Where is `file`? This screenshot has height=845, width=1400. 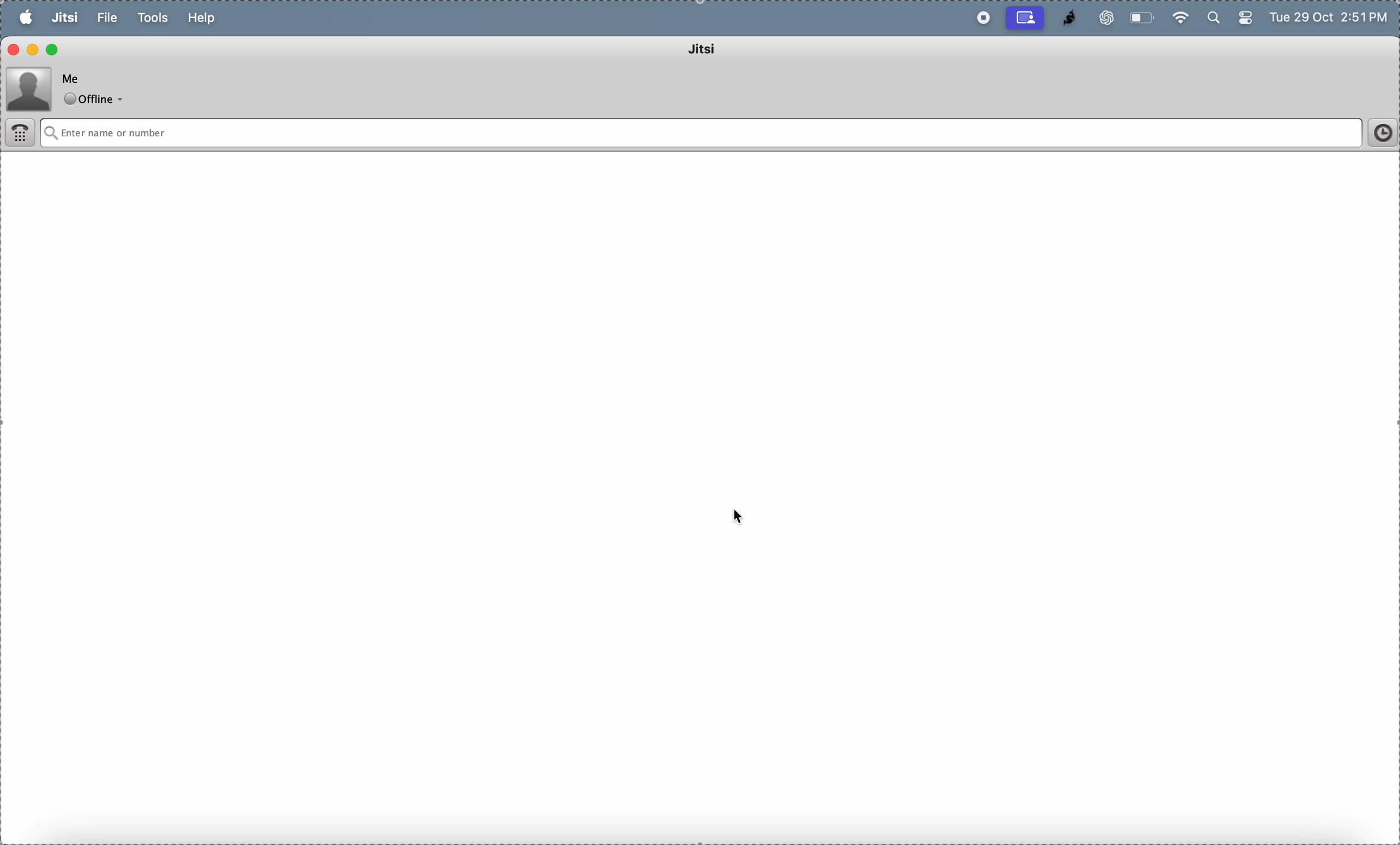
file is located at coordinates (108, 18).